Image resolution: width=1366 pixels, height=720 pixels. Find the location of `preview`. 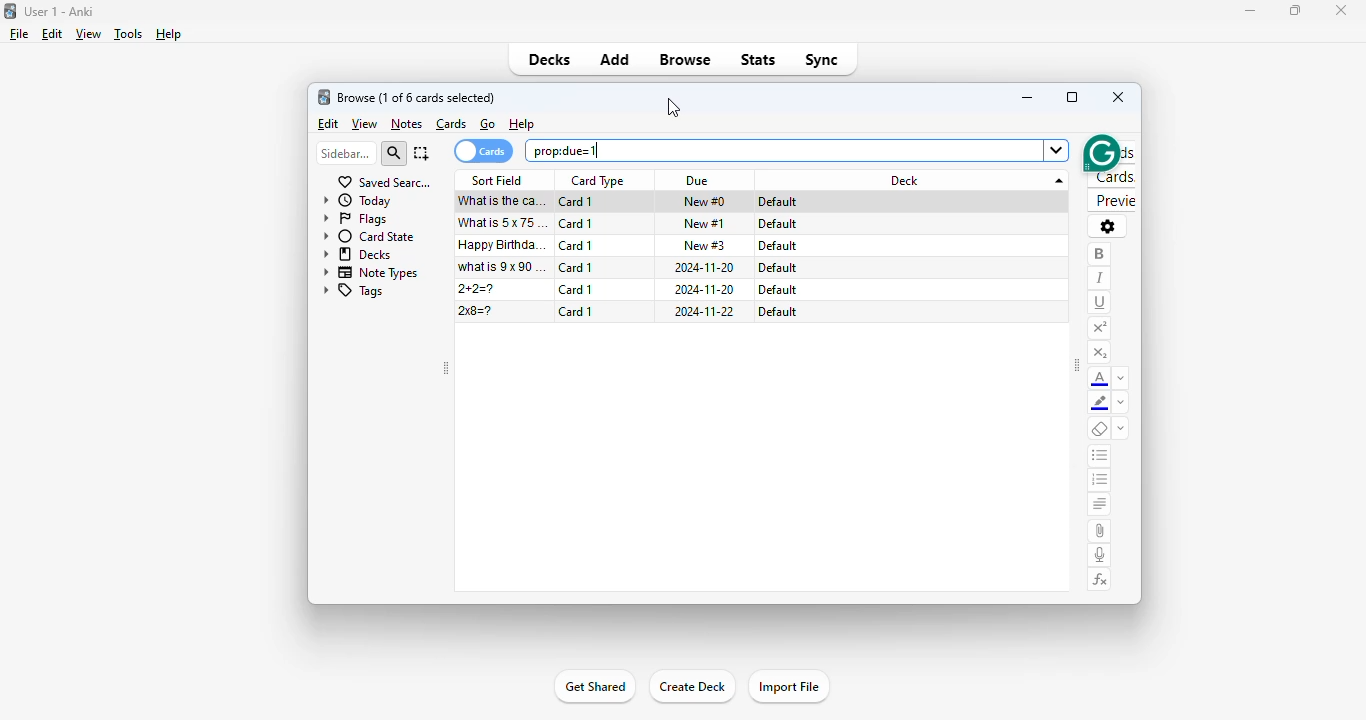

preview is located at coordinates (1112, 200).